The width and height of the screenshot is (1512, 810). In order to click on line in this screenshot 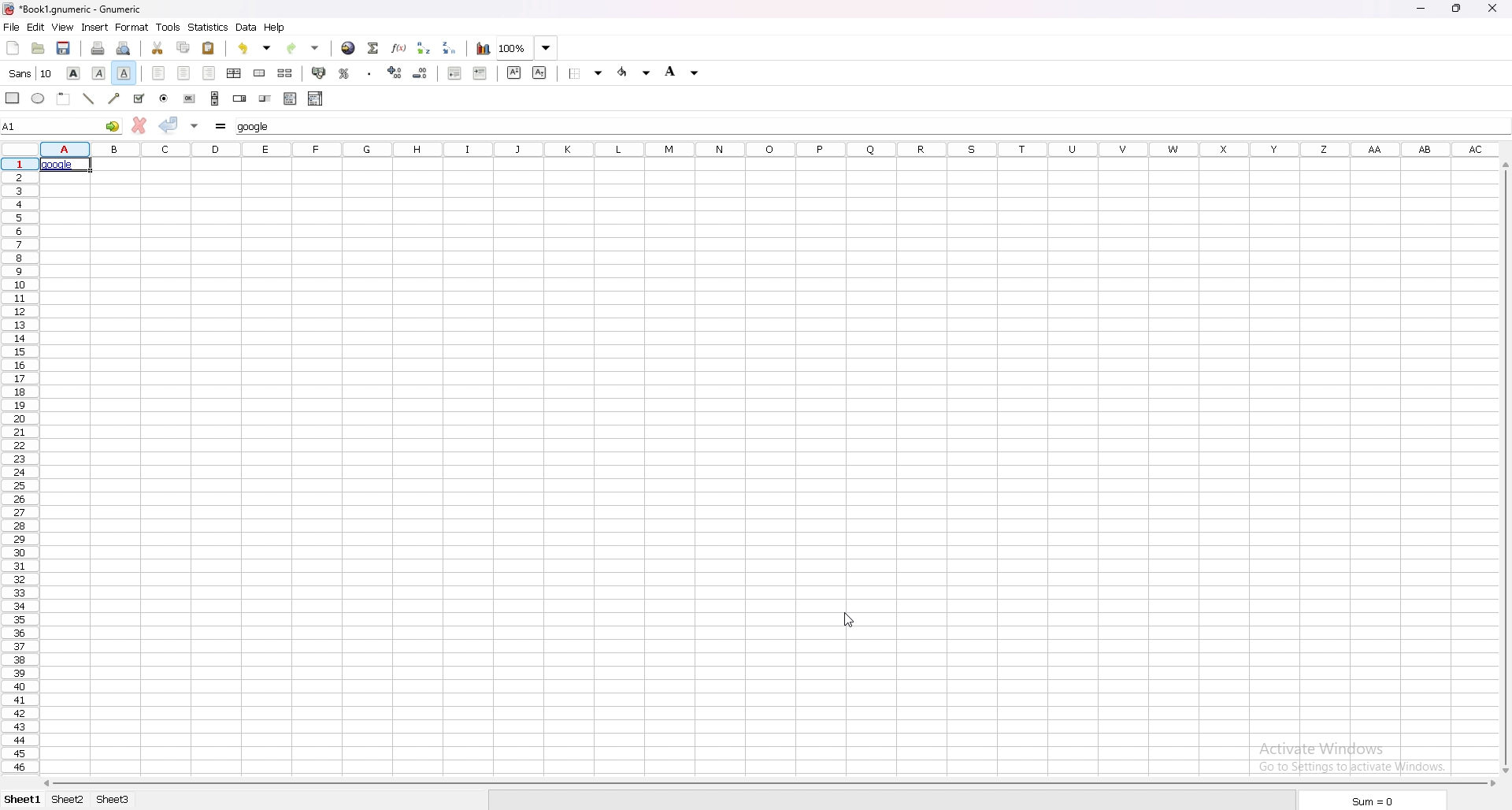, I will do `click(90, 97)`.